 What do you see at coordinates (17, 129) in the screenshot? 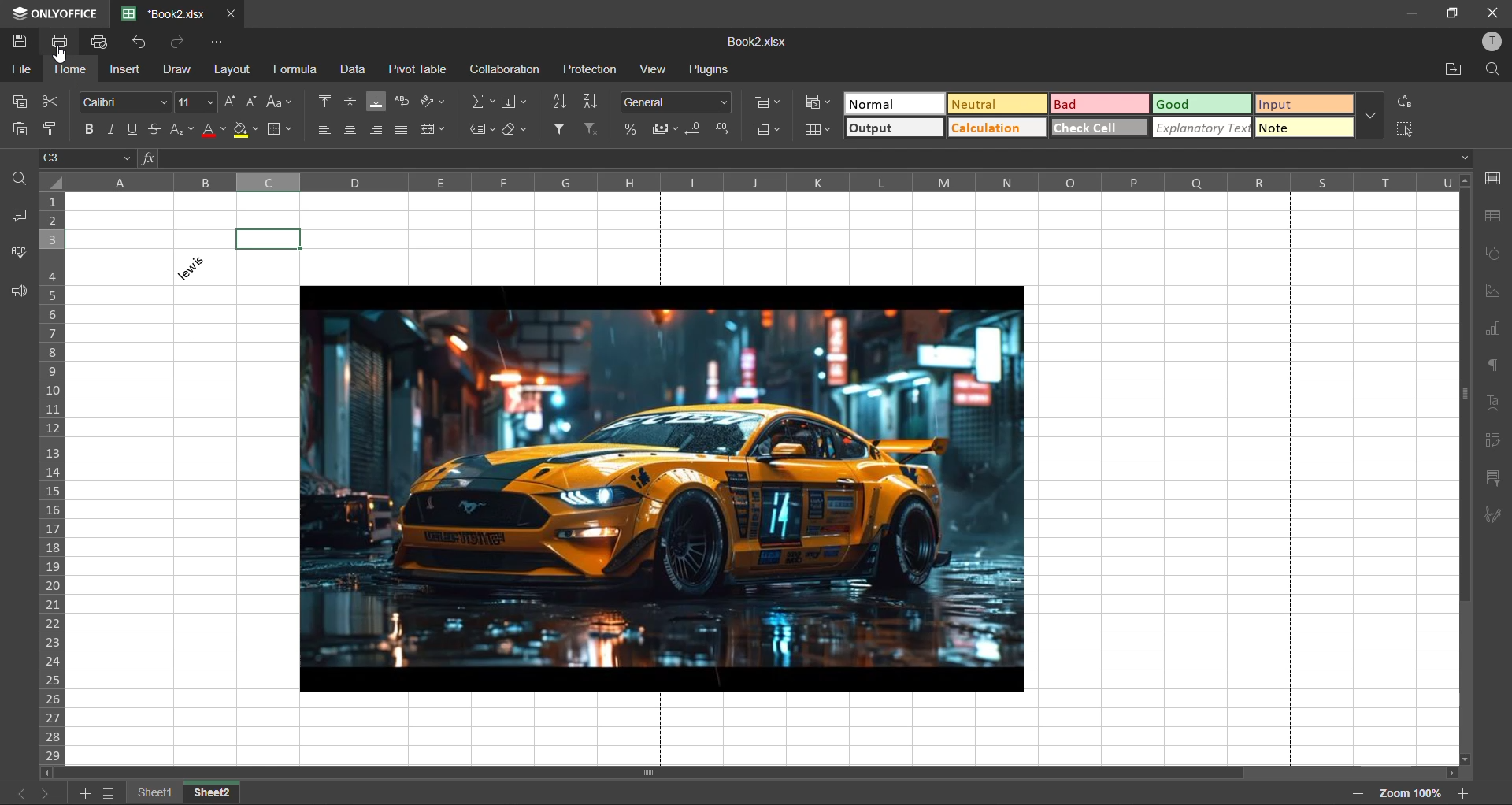
I see `paste` at bounding box center [17, 129].